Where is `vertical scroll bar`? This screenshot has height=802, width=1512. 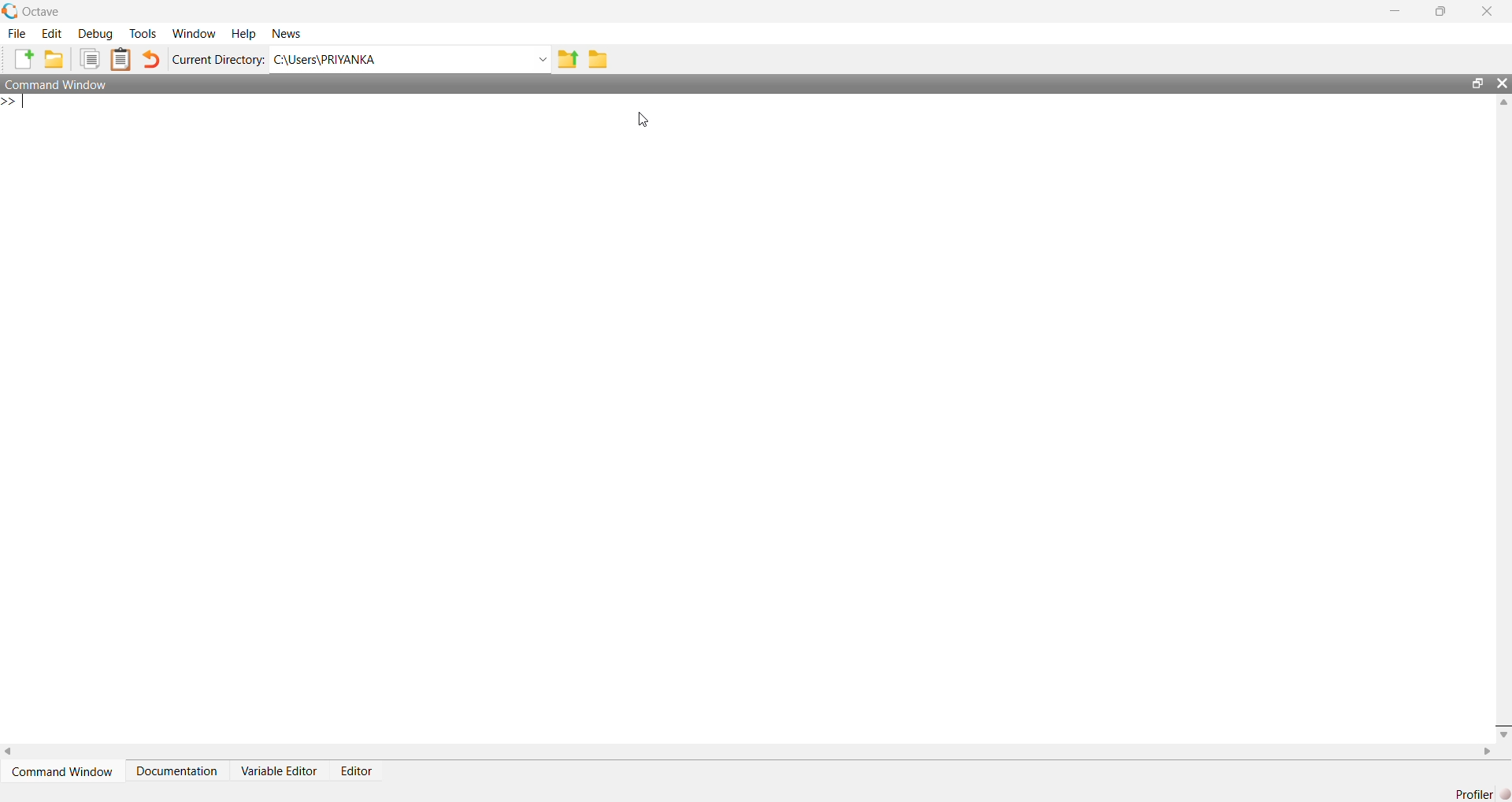 vertical scroll bar is located at coordinates (1502, 417).